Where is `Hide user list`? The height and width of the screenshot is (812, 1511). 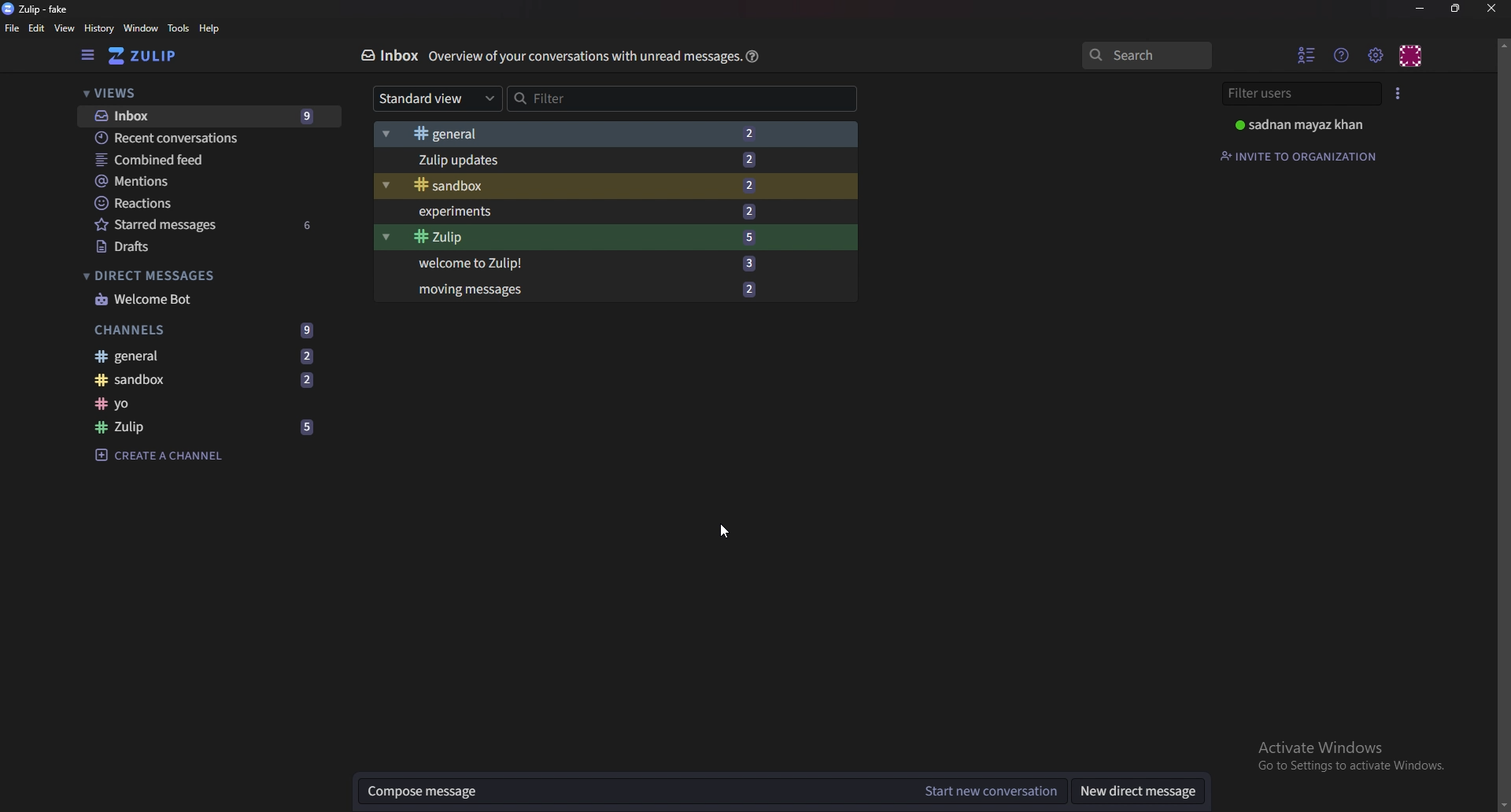
Hide user list is located at coordinates (1309, 54).